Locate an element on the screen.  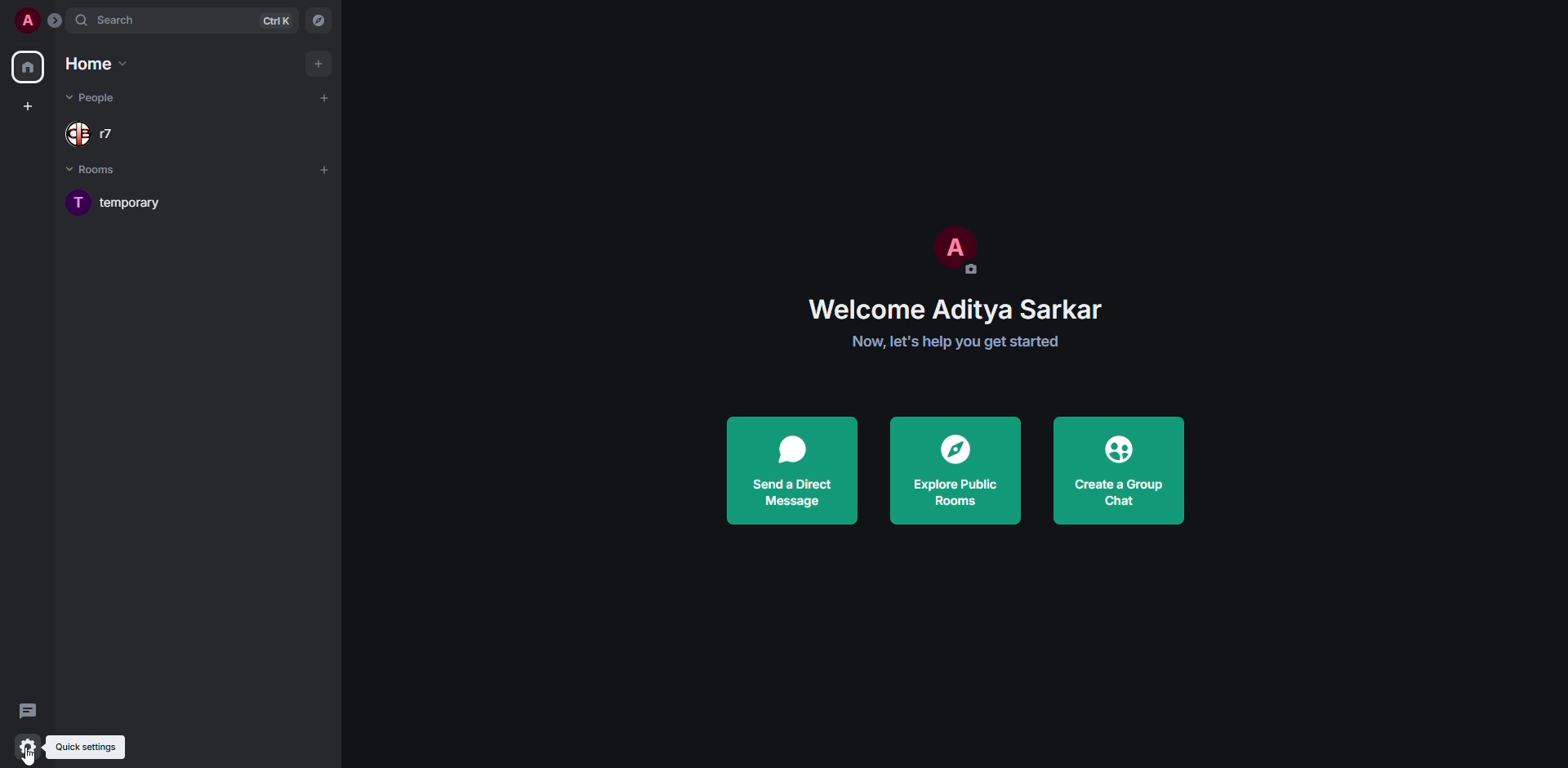
add is located at coordinates (324, 97).